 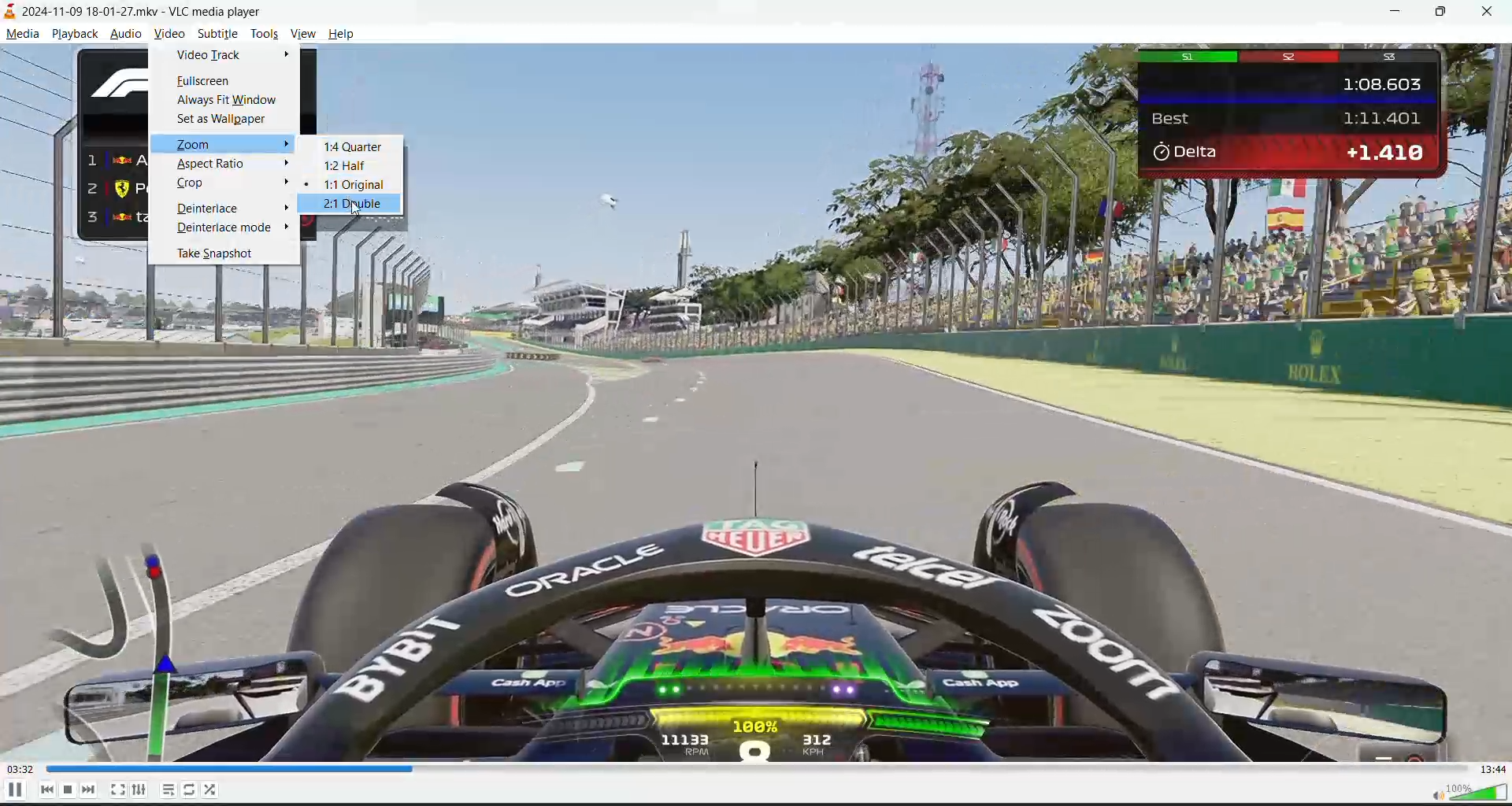 What do you see at coordinates (354, 185) in the screenshot?
I see `1:1 original` at bounding box center [354, 185].